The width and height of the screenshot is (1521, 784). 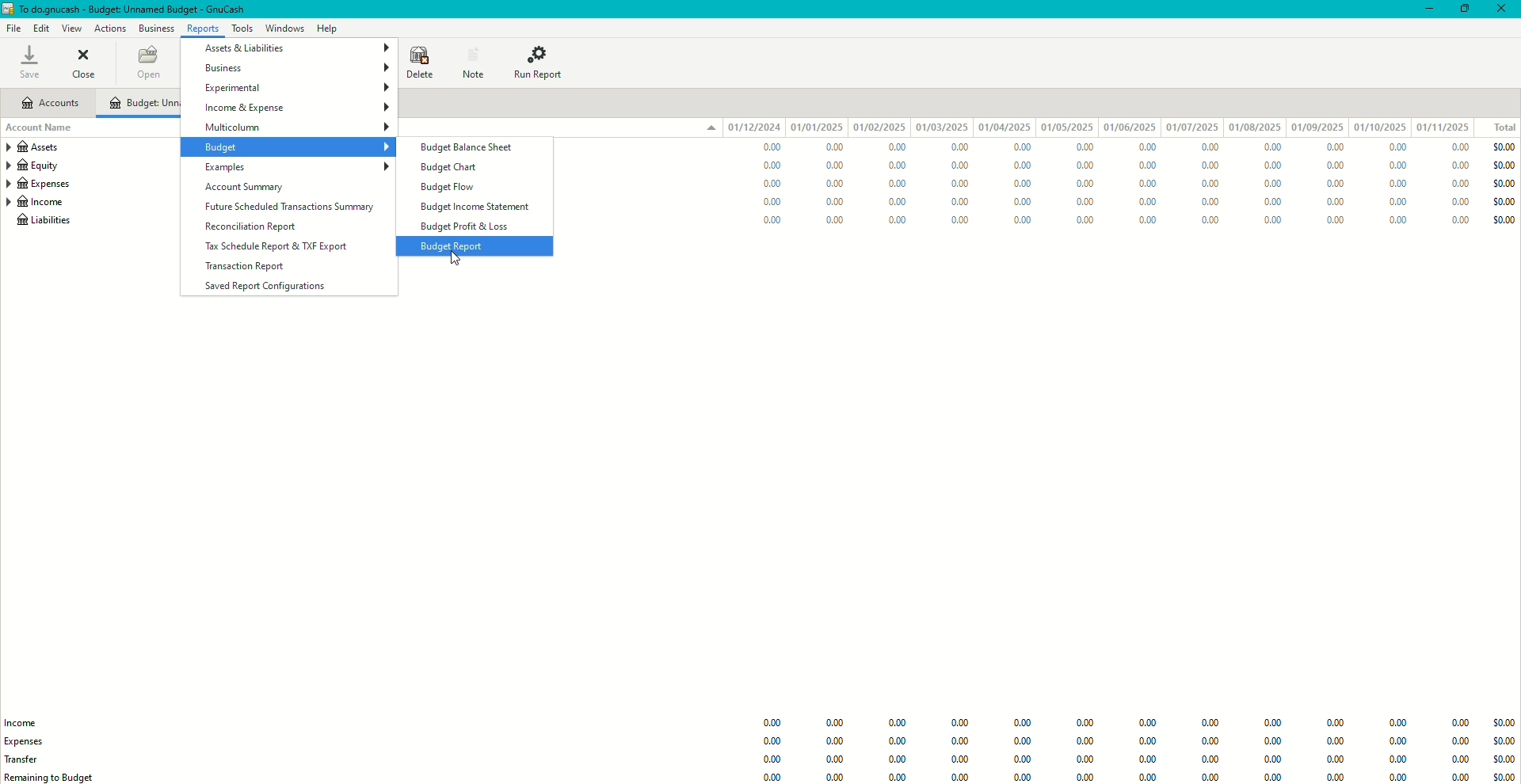 I want to click on 0.00, so click(x=1396, y=741).